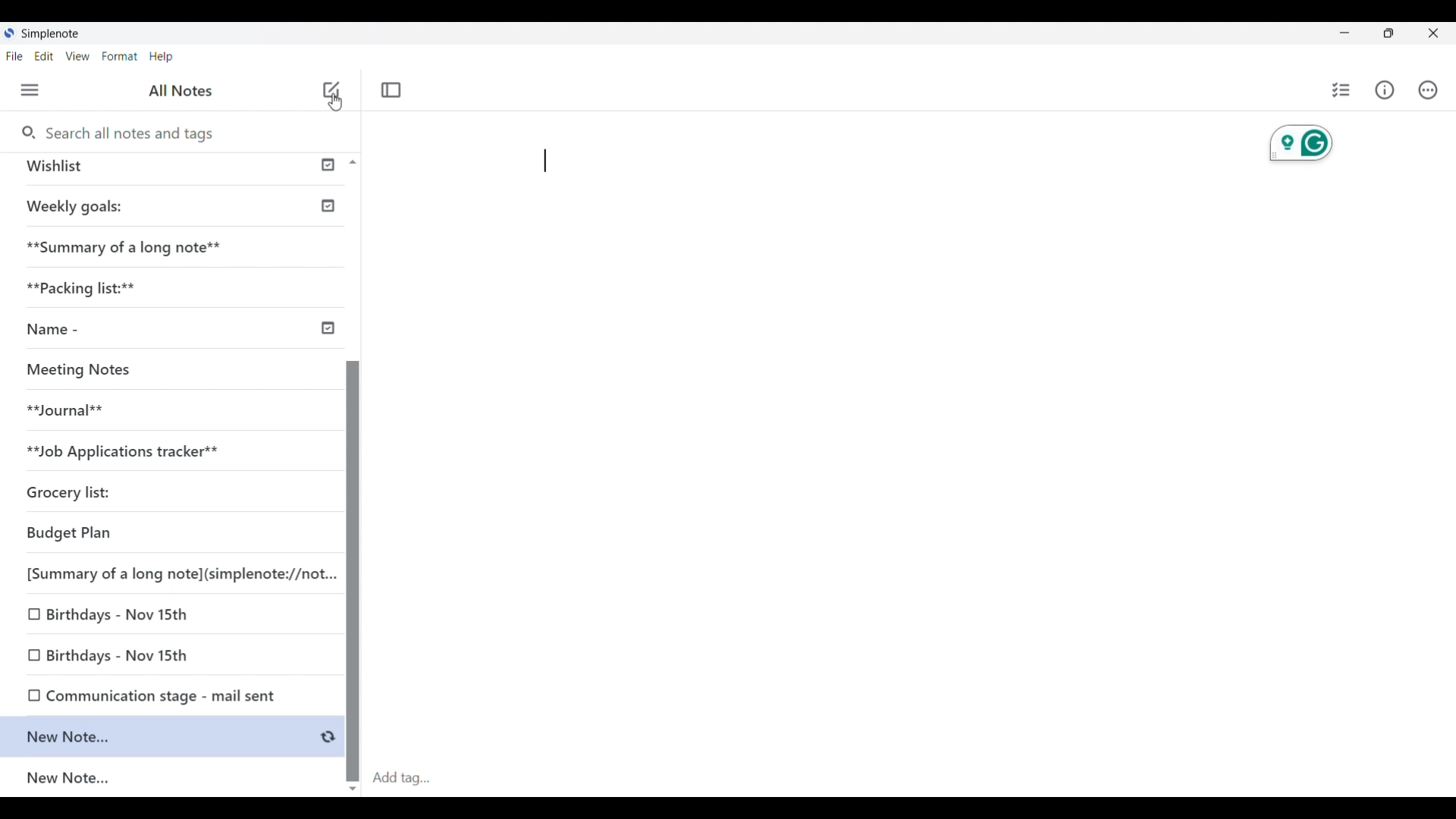  What do you see at coordinates (1428, 89) in the screenshot?
I see `Actions` at bounding box center [1428, 89].